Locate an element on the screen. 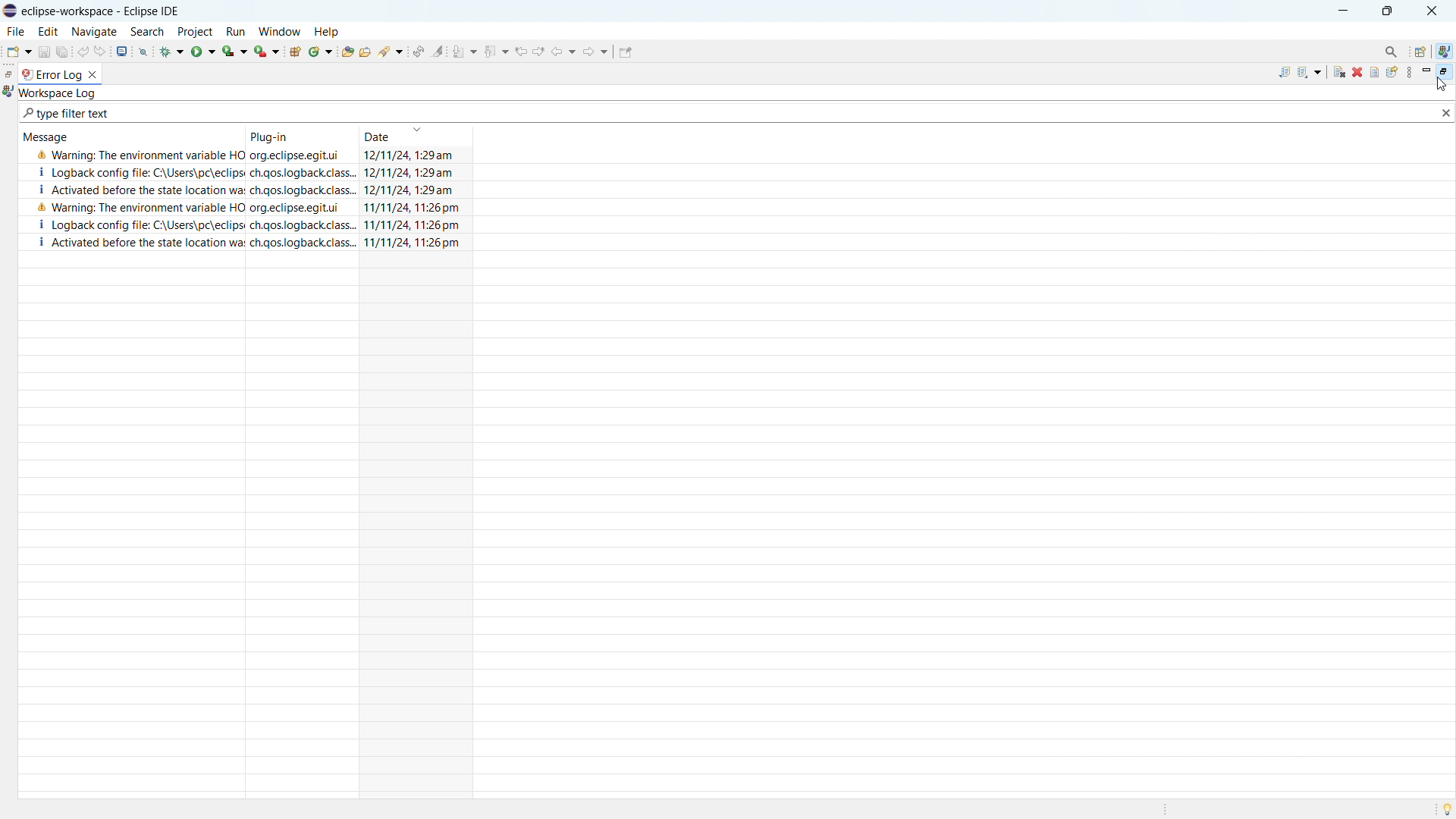 This screenshot has width=1456, height=819. Plug-in is located at coordinates (268, 134).